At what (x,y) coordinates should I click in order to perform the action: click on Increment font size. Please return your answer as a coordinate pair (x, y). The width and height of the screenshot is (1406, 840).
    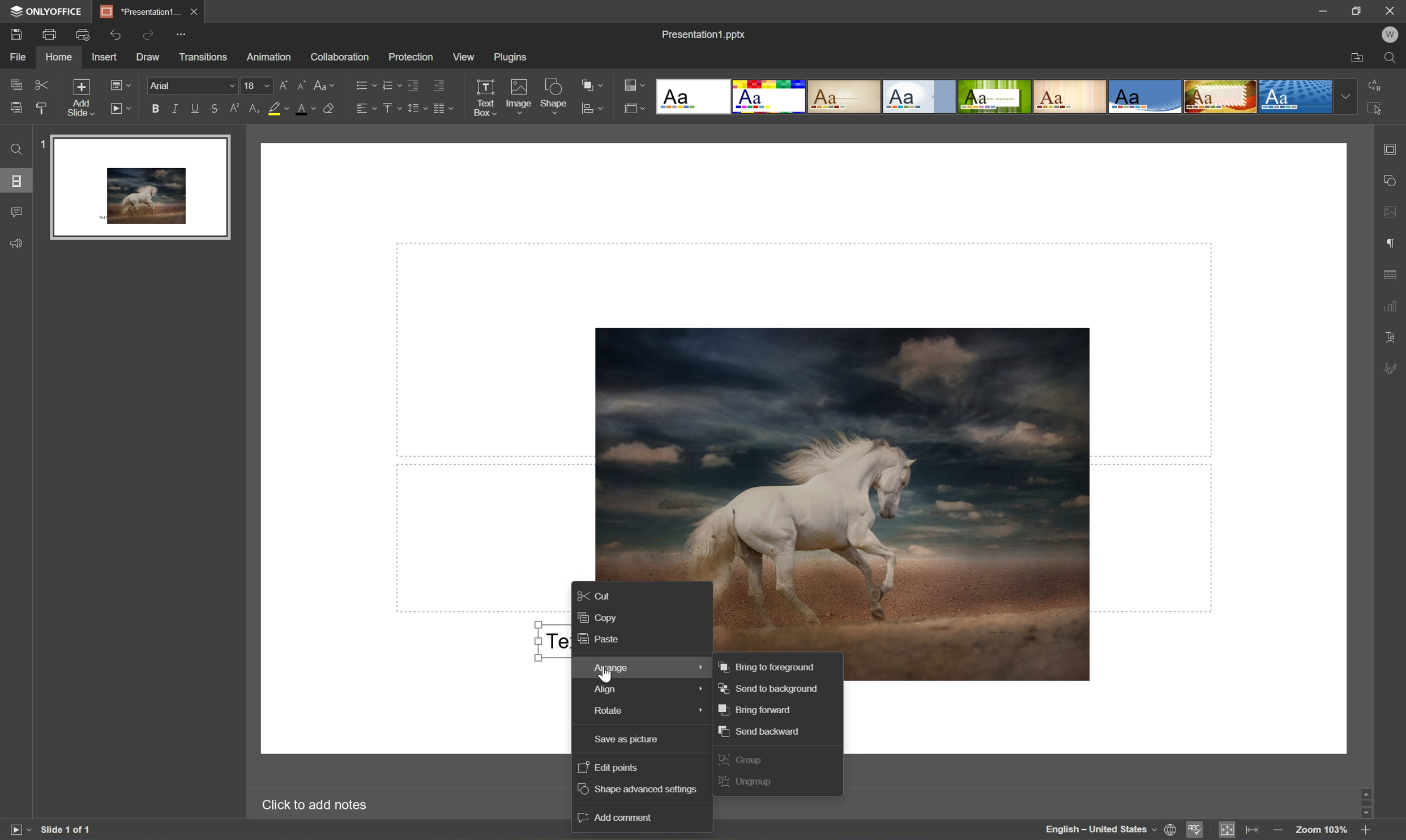
    Looking at the image, I should click on (282, 84).